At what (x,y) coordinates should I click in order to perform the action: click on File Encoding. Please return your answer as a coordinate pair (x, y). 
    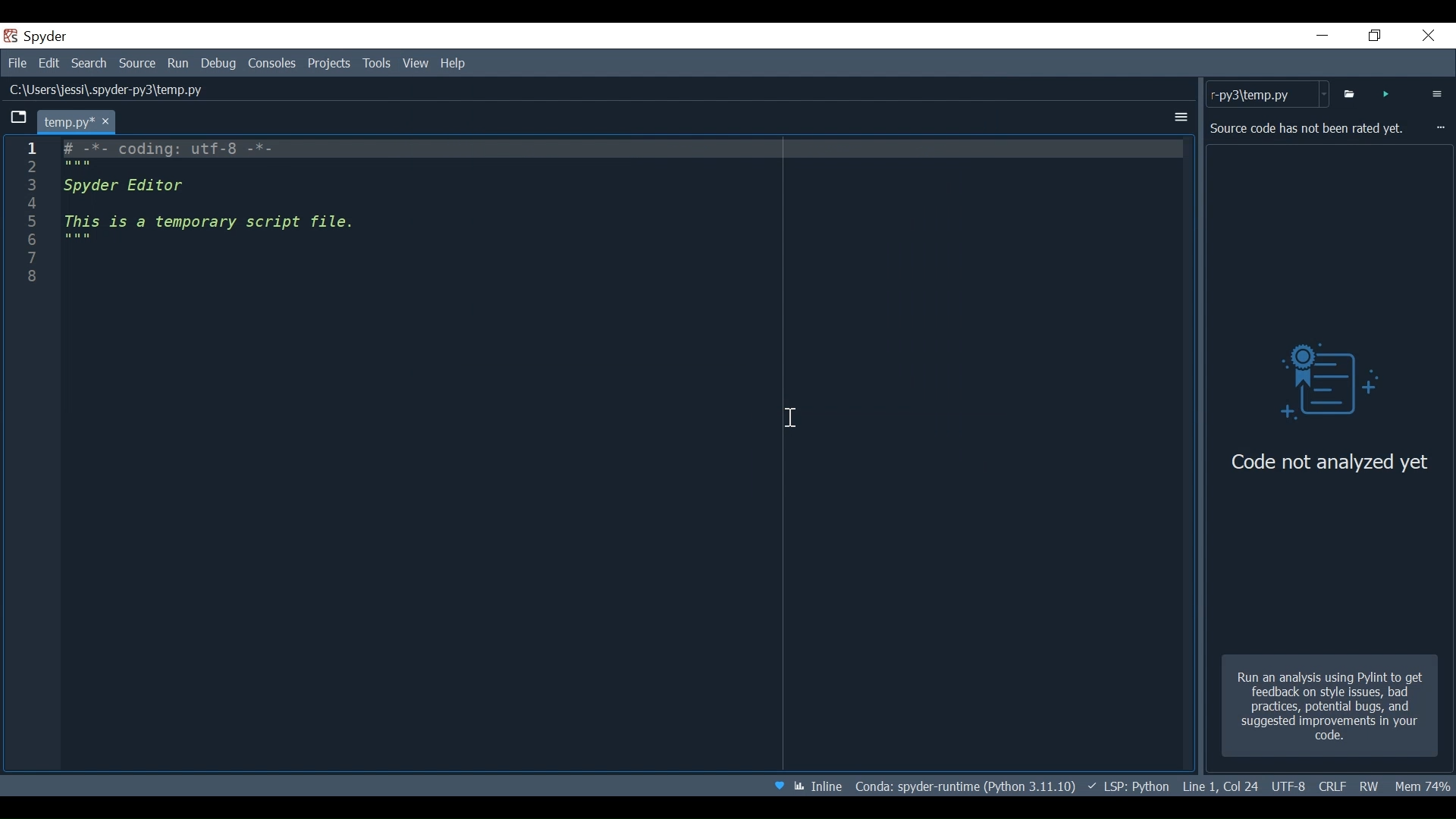
    Looking at the image, I should click on (1287, 786).